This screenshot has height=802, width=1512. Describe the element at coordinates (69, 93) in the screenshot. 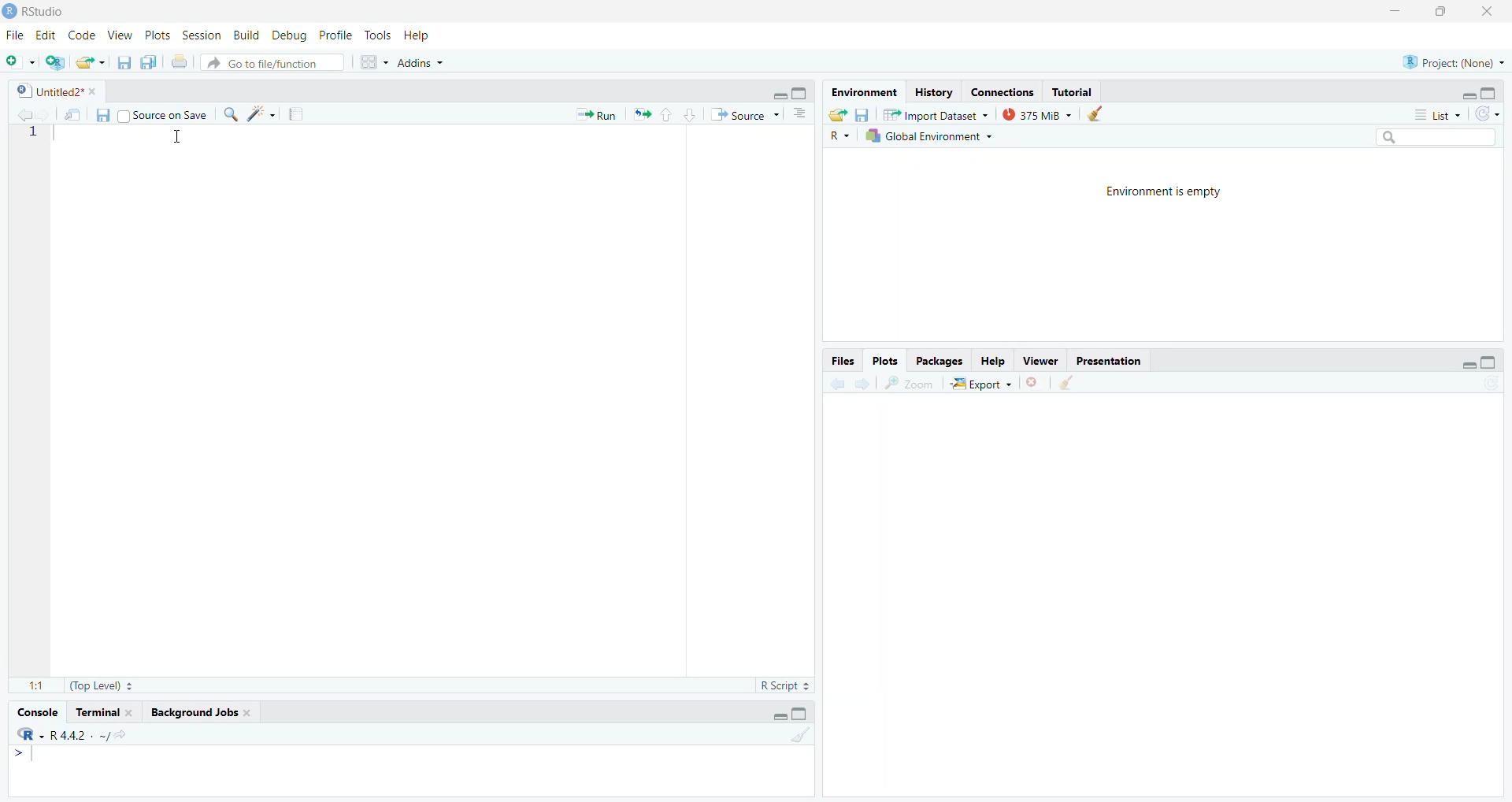

I see ` Untitled2` at that location.